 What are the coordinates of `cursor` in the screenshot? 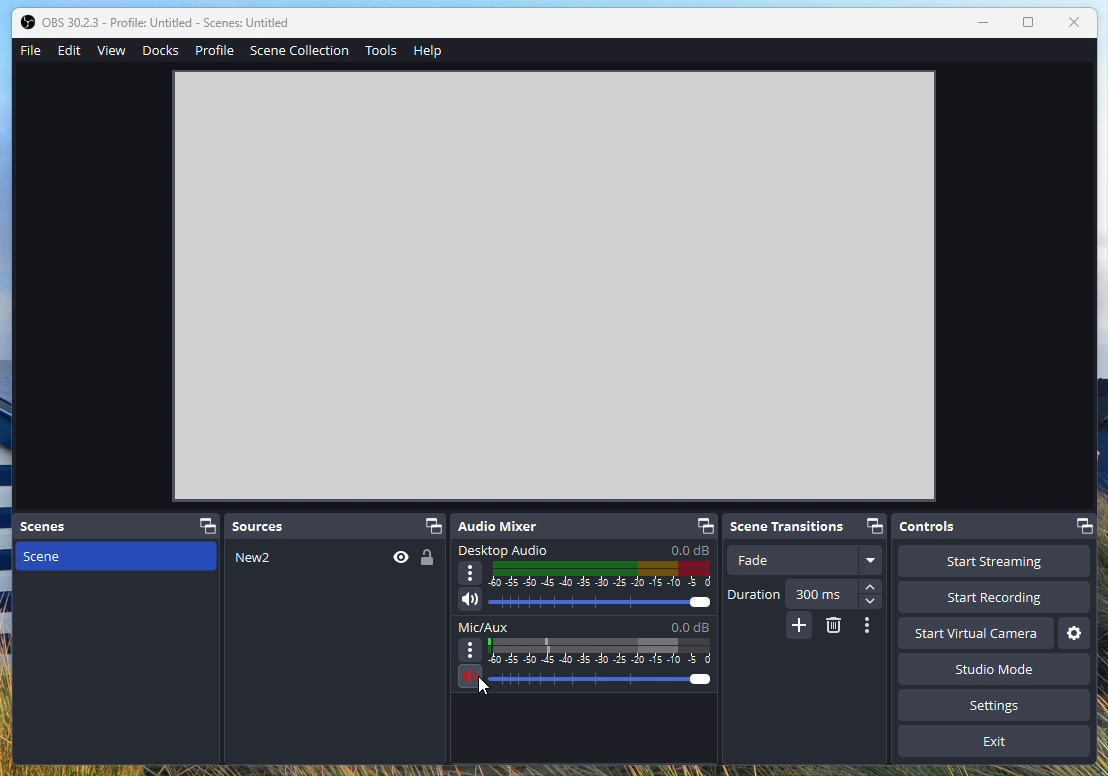 It's located at (491, 696).